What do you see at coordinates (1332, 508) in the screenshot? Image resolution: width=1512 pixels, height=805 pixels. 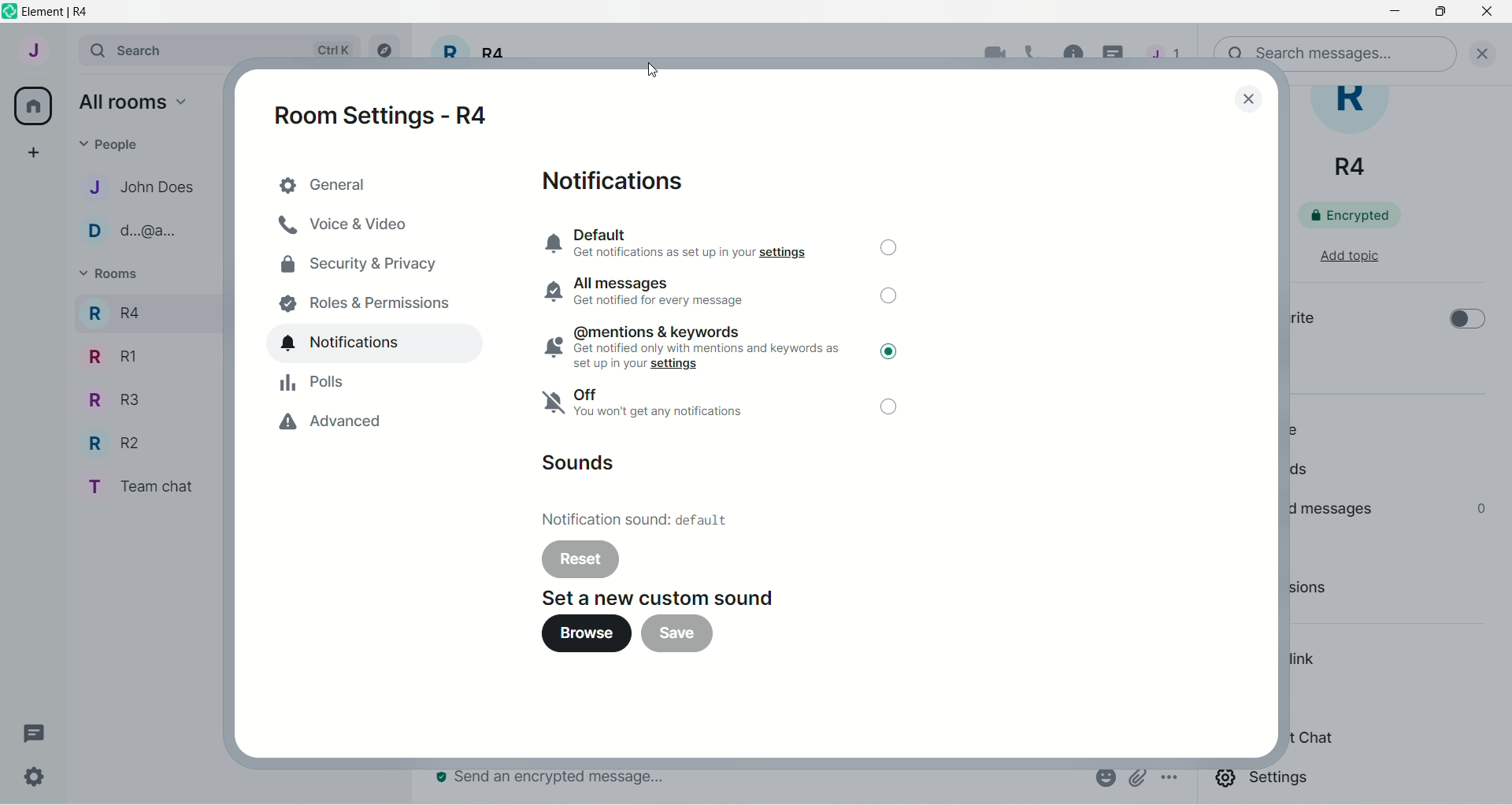 I see `pinned messages` at bounding box center [1332, 508].